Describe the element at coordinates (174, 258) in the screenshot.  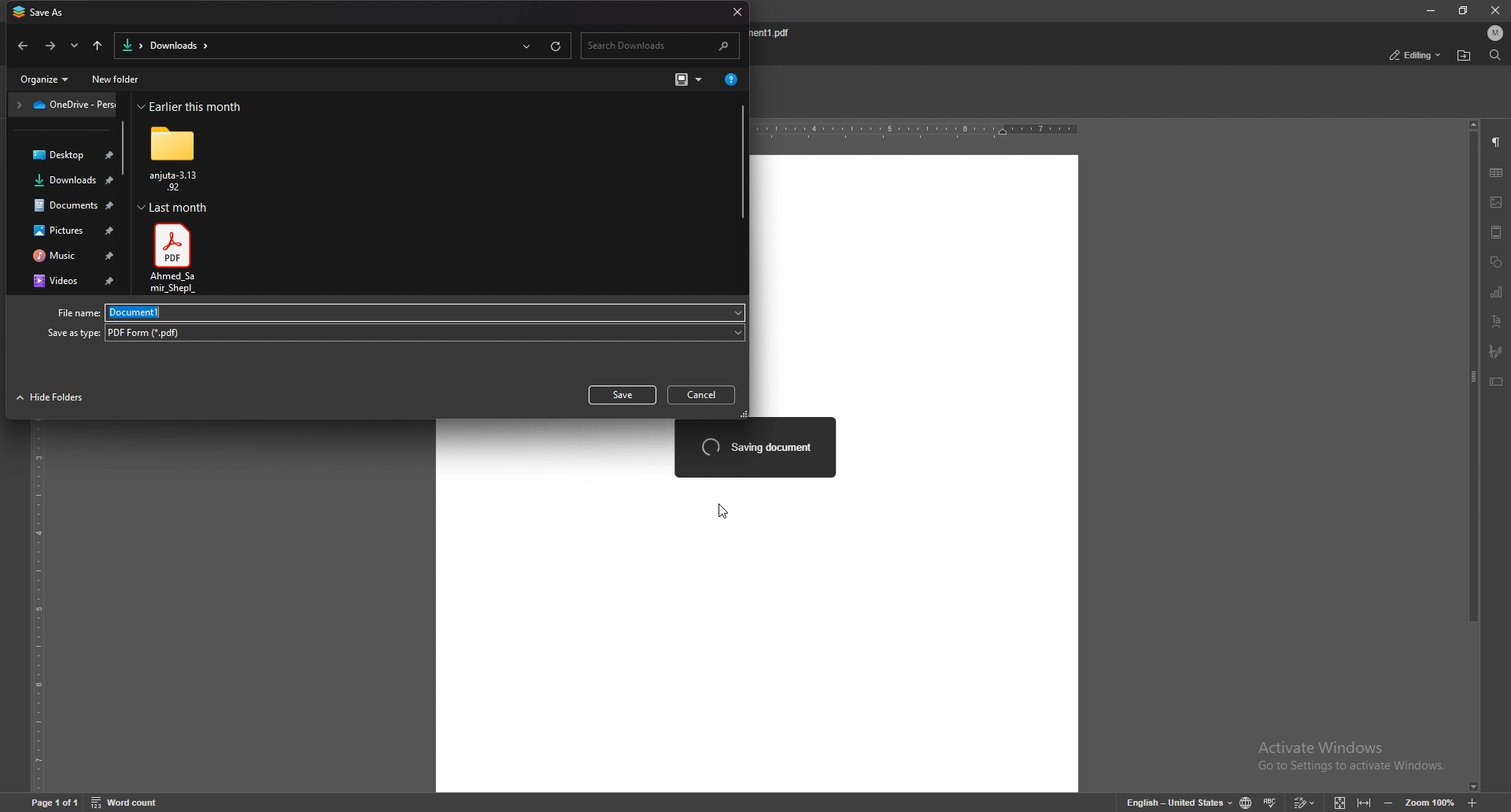
I see `file` at that location.